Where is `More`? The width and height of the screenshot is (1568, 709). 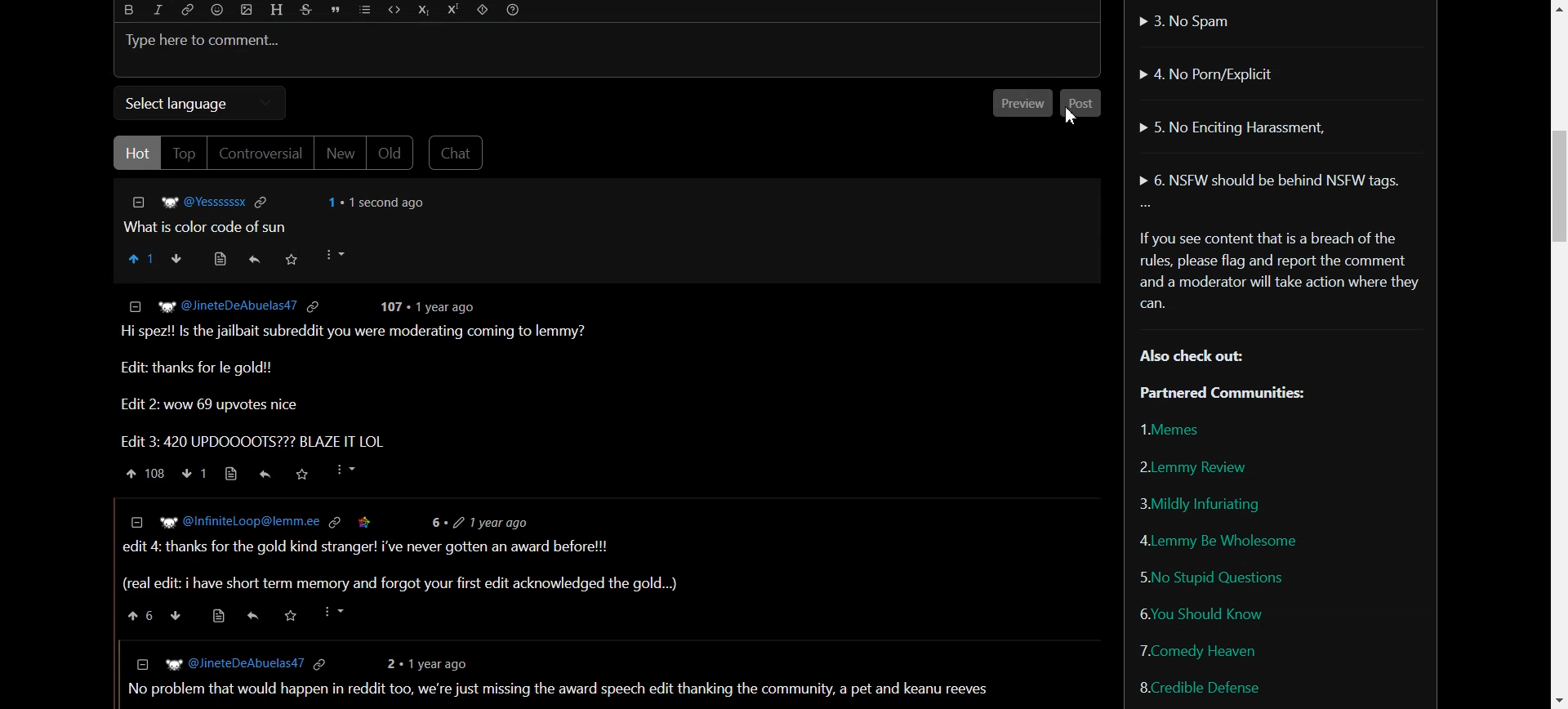
More is located at coordinates (1146, 206).